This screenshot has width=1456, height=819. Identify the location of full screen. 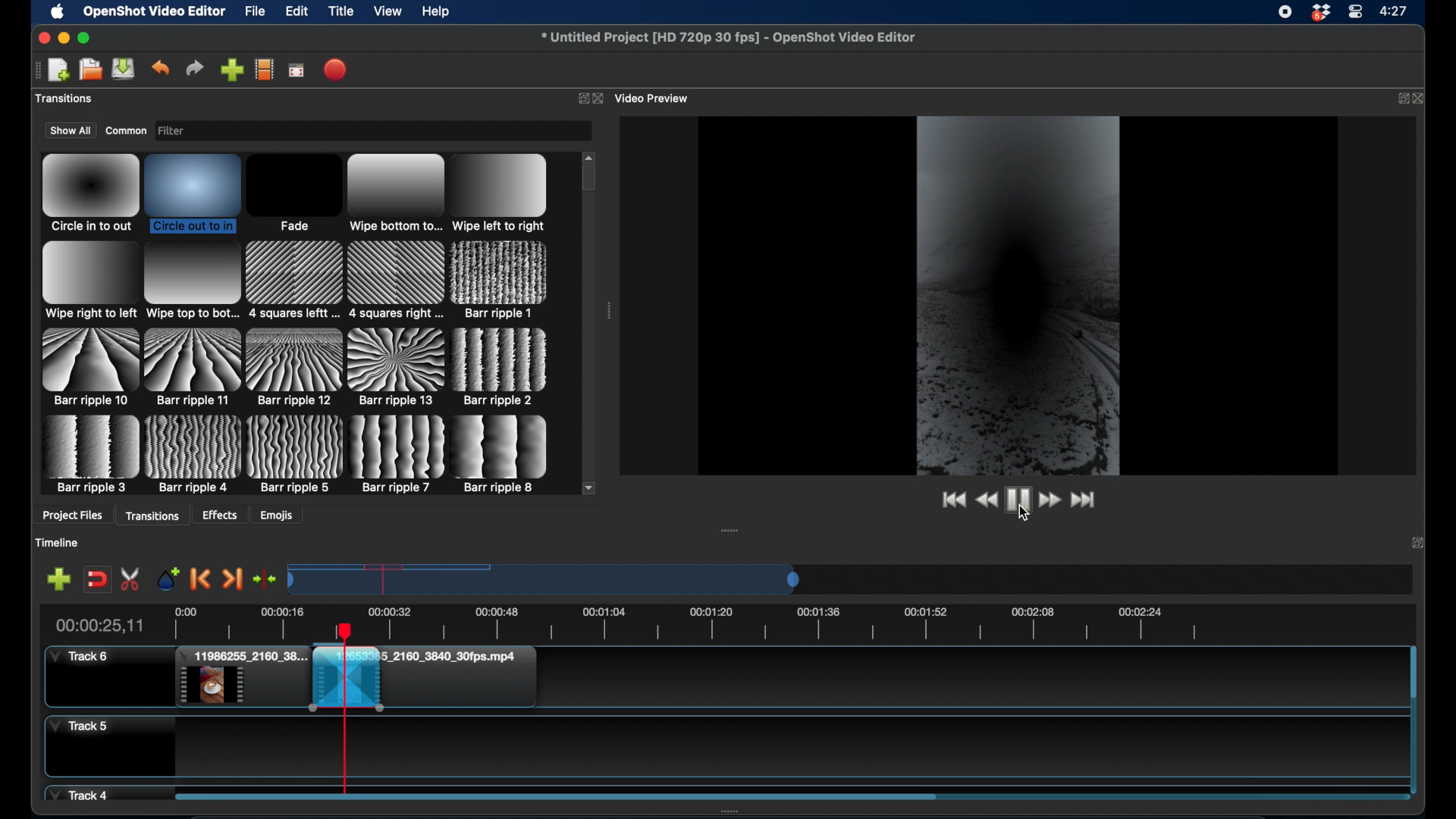
(297, 69).